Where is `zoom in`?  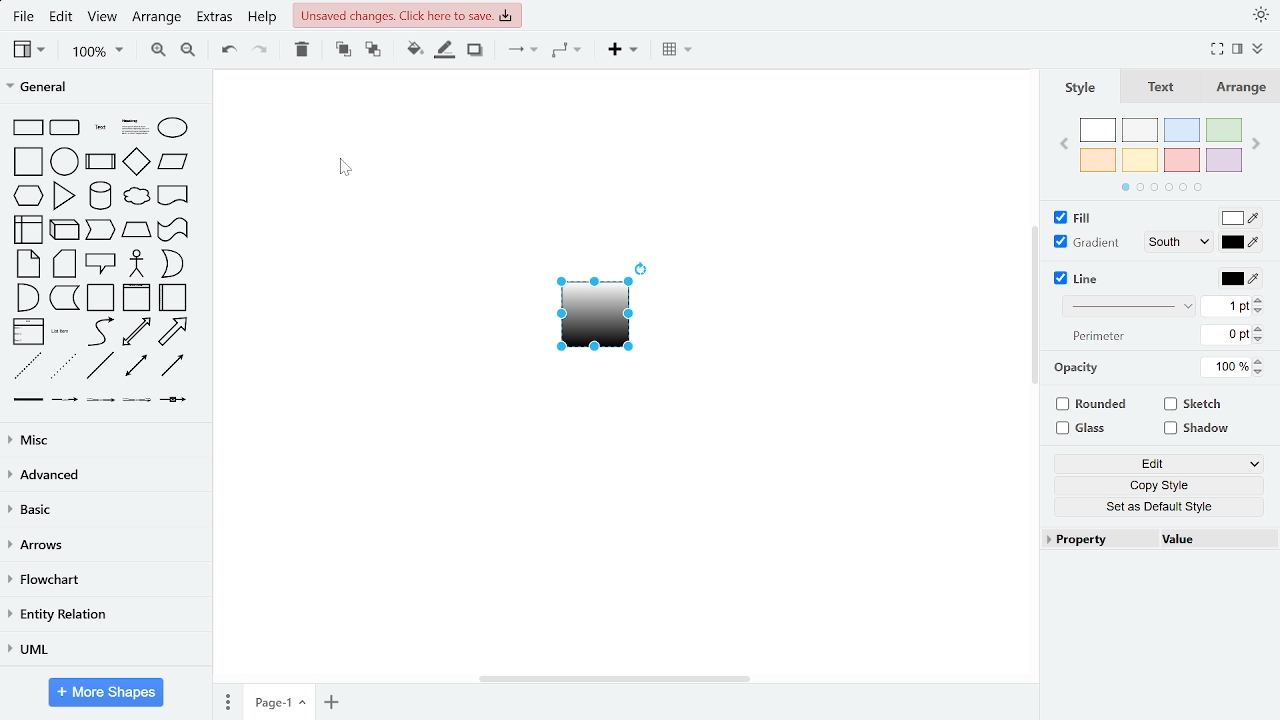 zoom in is located at coordinates (153, 51).